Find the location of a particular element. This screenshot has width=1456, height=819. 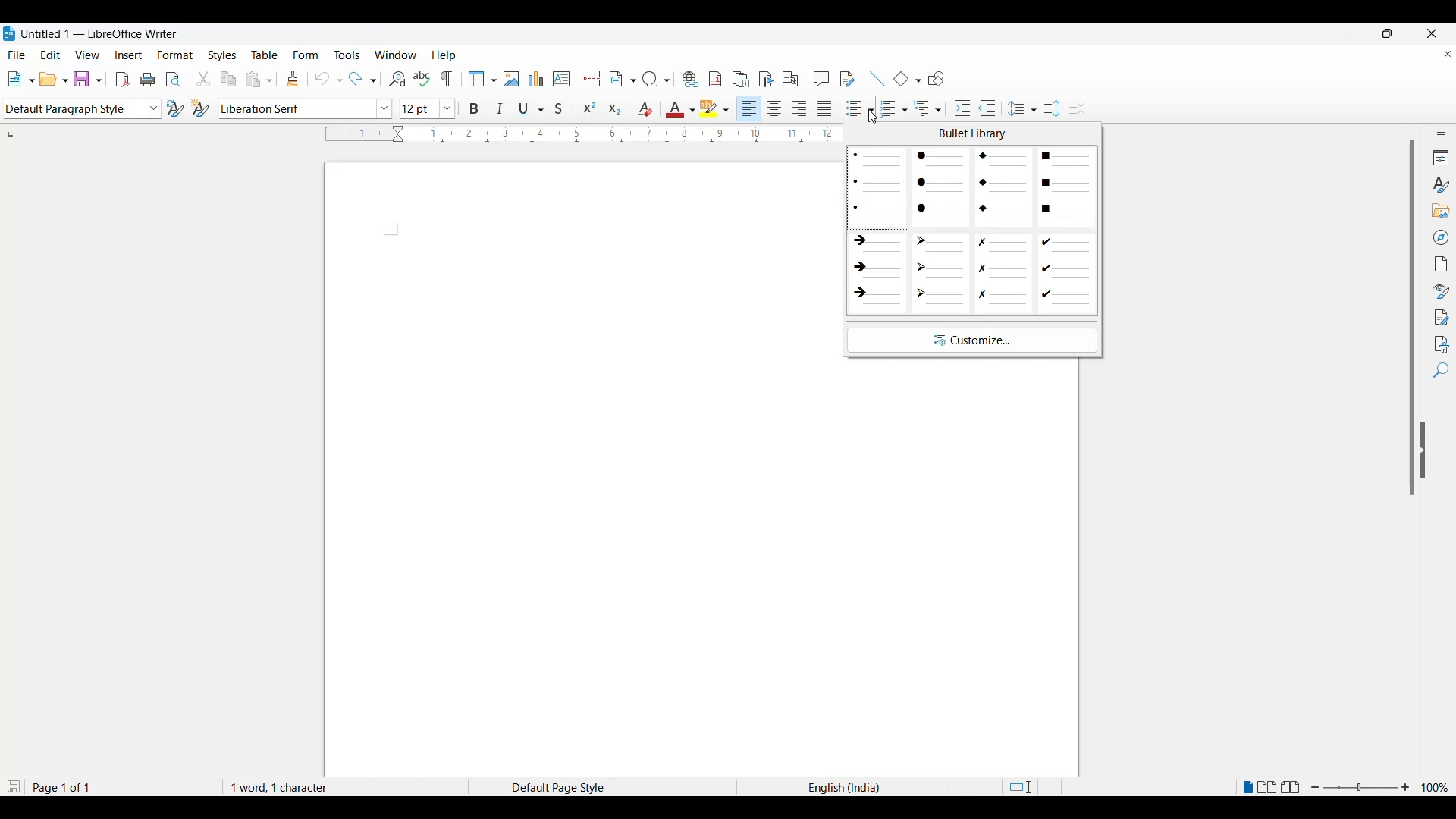

font size is located at coordinates (425, 108).